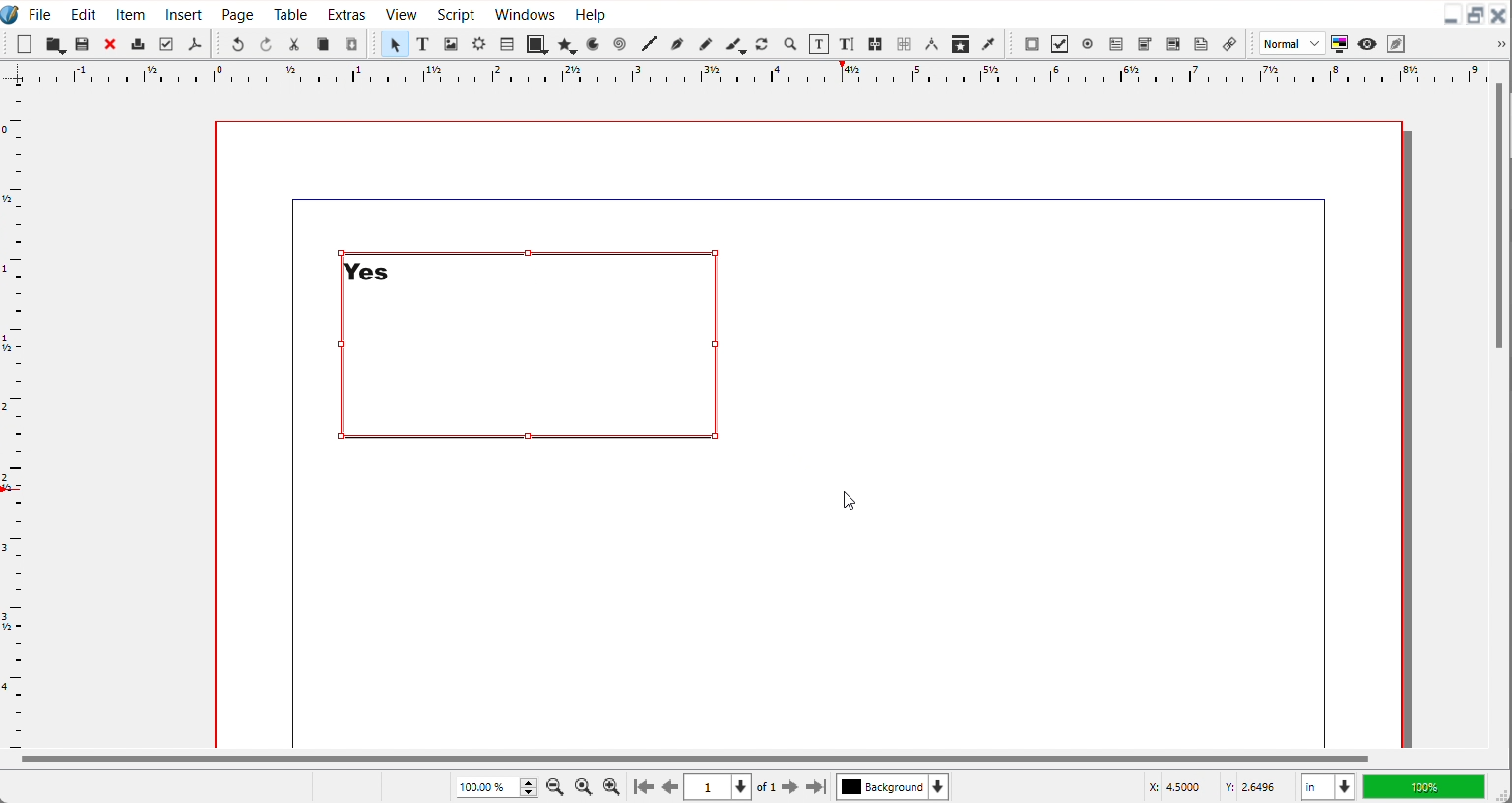 The image size is (1512, 803). Describe the element at coordinates (14, 413) in the screenshot. I see `Vertical Scale` at that location.